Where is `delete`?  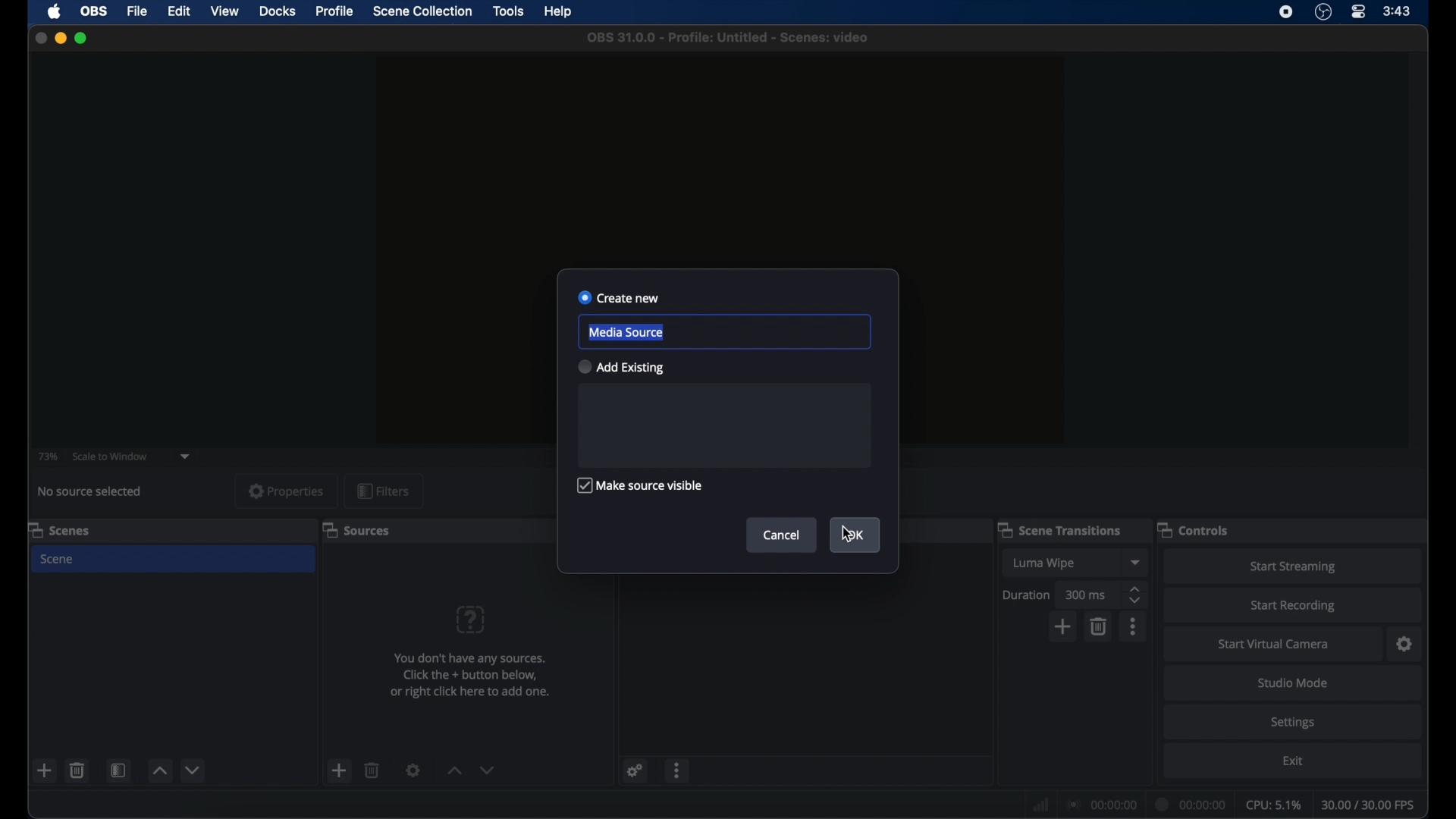 delete is located at coordinates (77, 770).